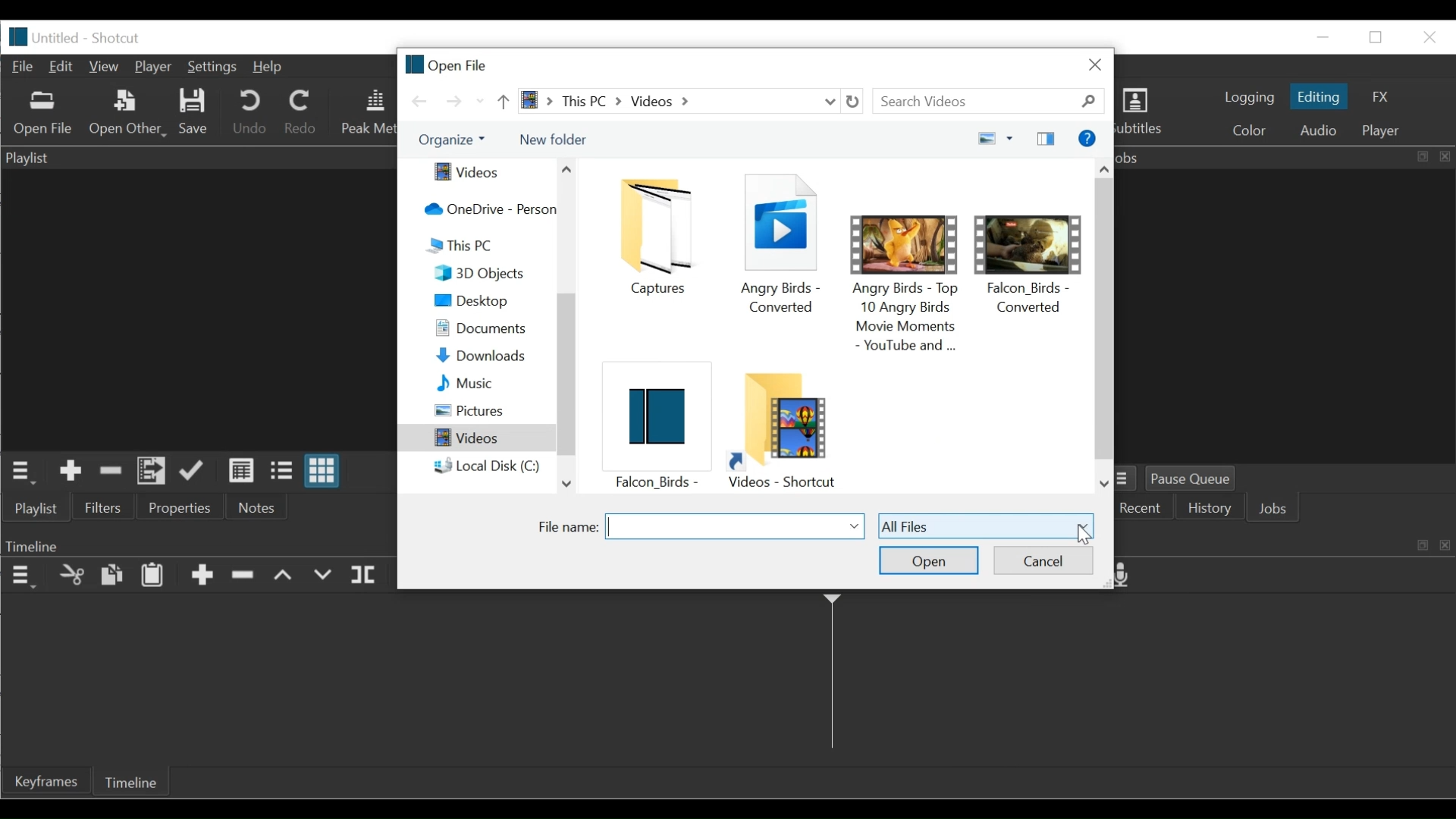 Image resolution: width=1456 pixels, height=819 pixels. Describe the element at coordinates (1247, 99) in the screenshot. I see `logging` at that location.